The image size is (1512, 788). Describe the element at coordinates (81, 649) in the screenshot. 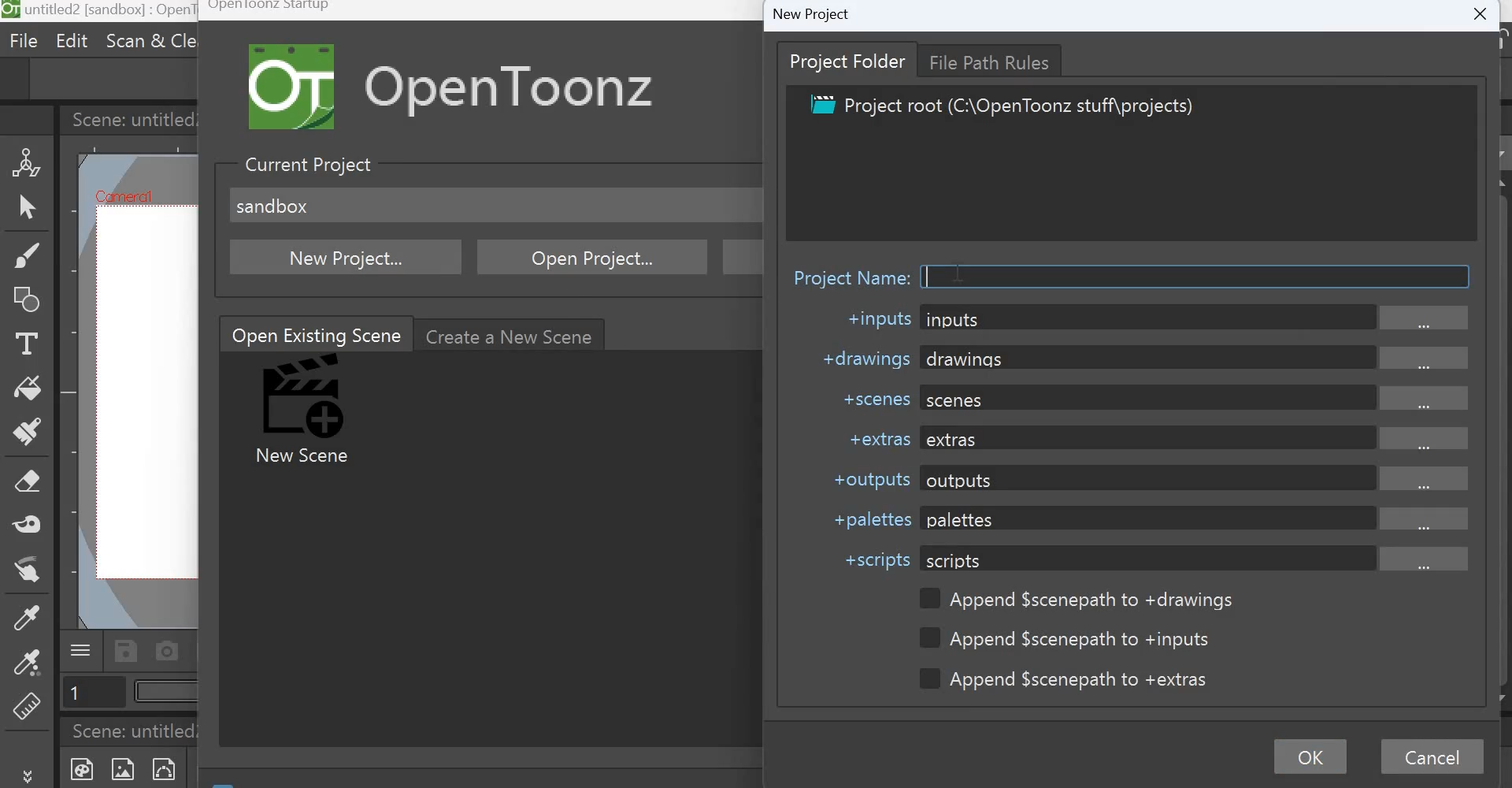

I see `Menu` at that location.